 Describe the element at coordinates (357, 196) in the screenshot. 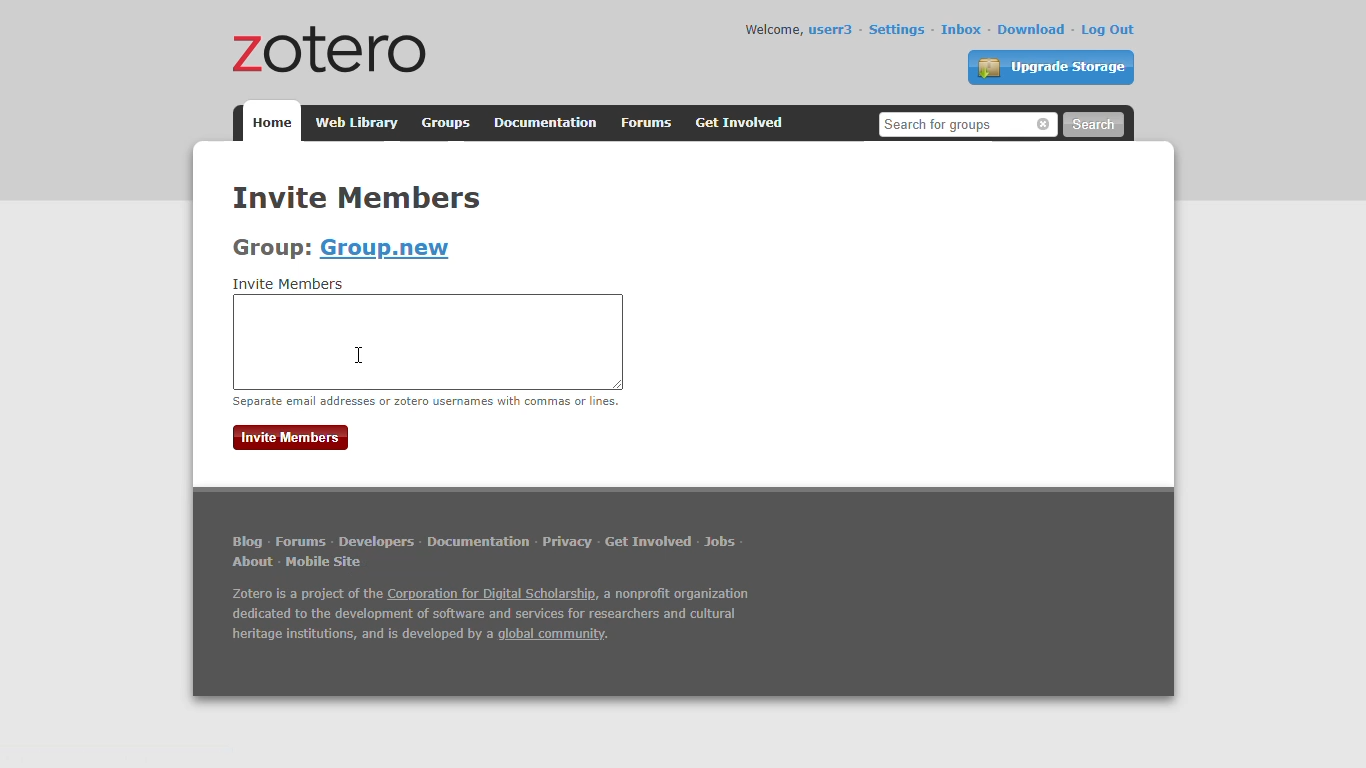

I see `invite members` at that location.